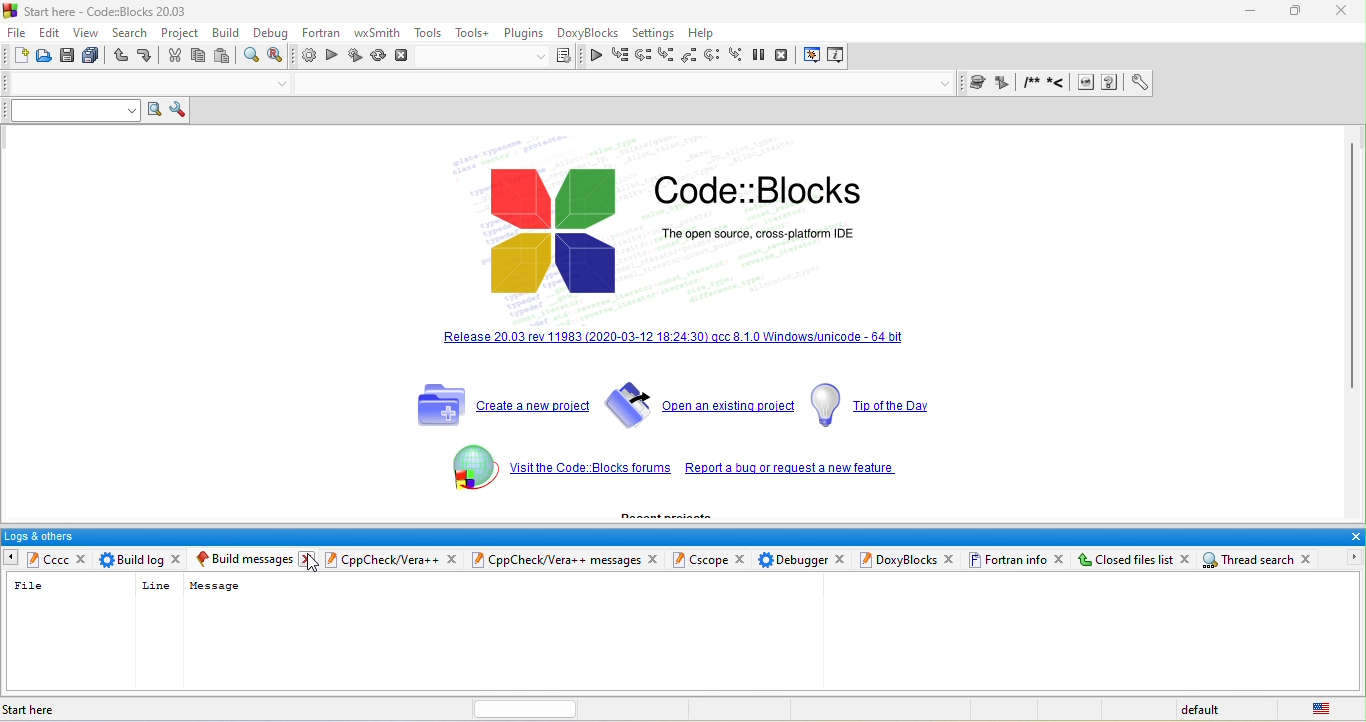  Describe the element at coordinates (276, 55) in the screenshot. I see `replace` at that location.